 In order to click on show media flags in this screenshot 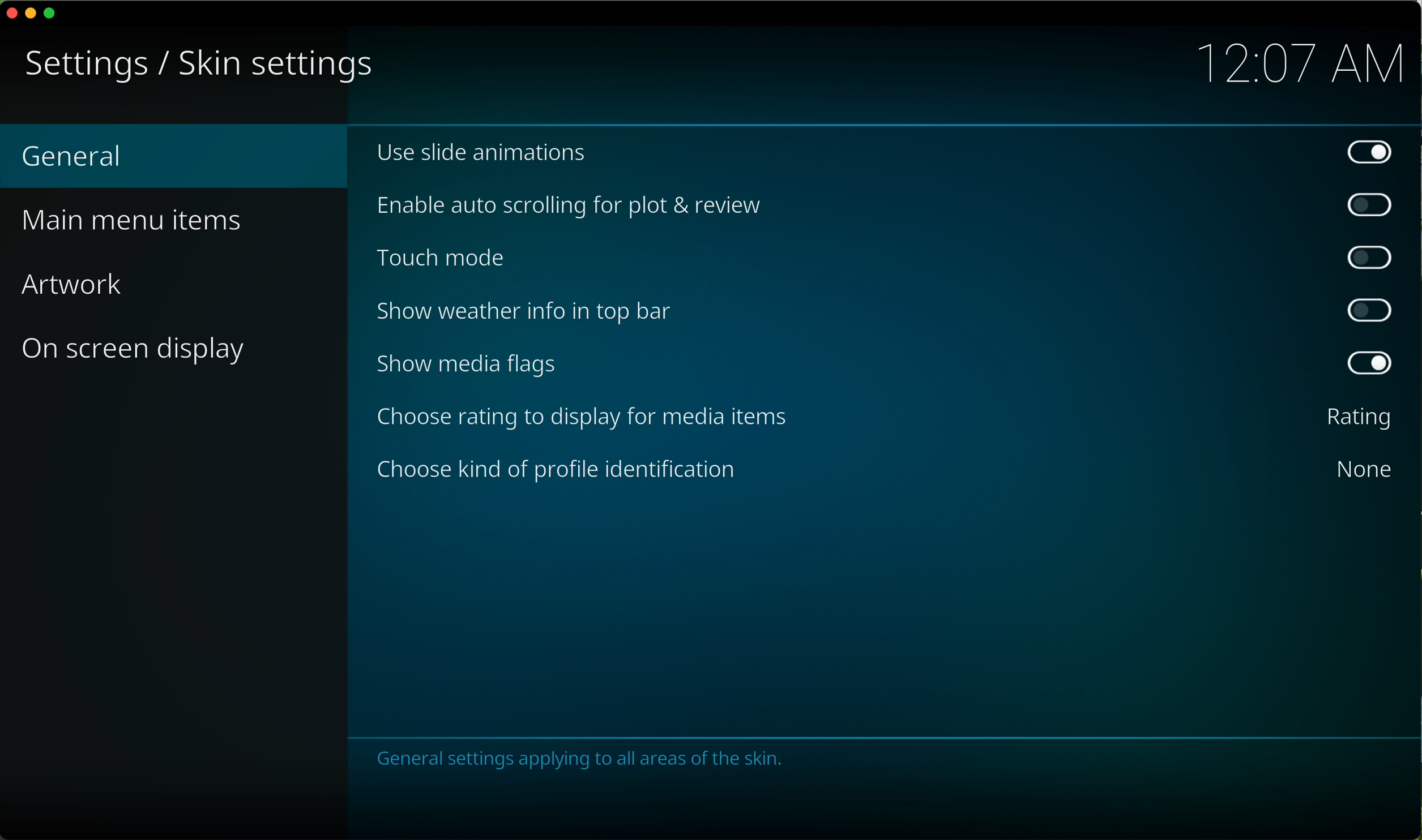, I will do `click(889, 365)`.